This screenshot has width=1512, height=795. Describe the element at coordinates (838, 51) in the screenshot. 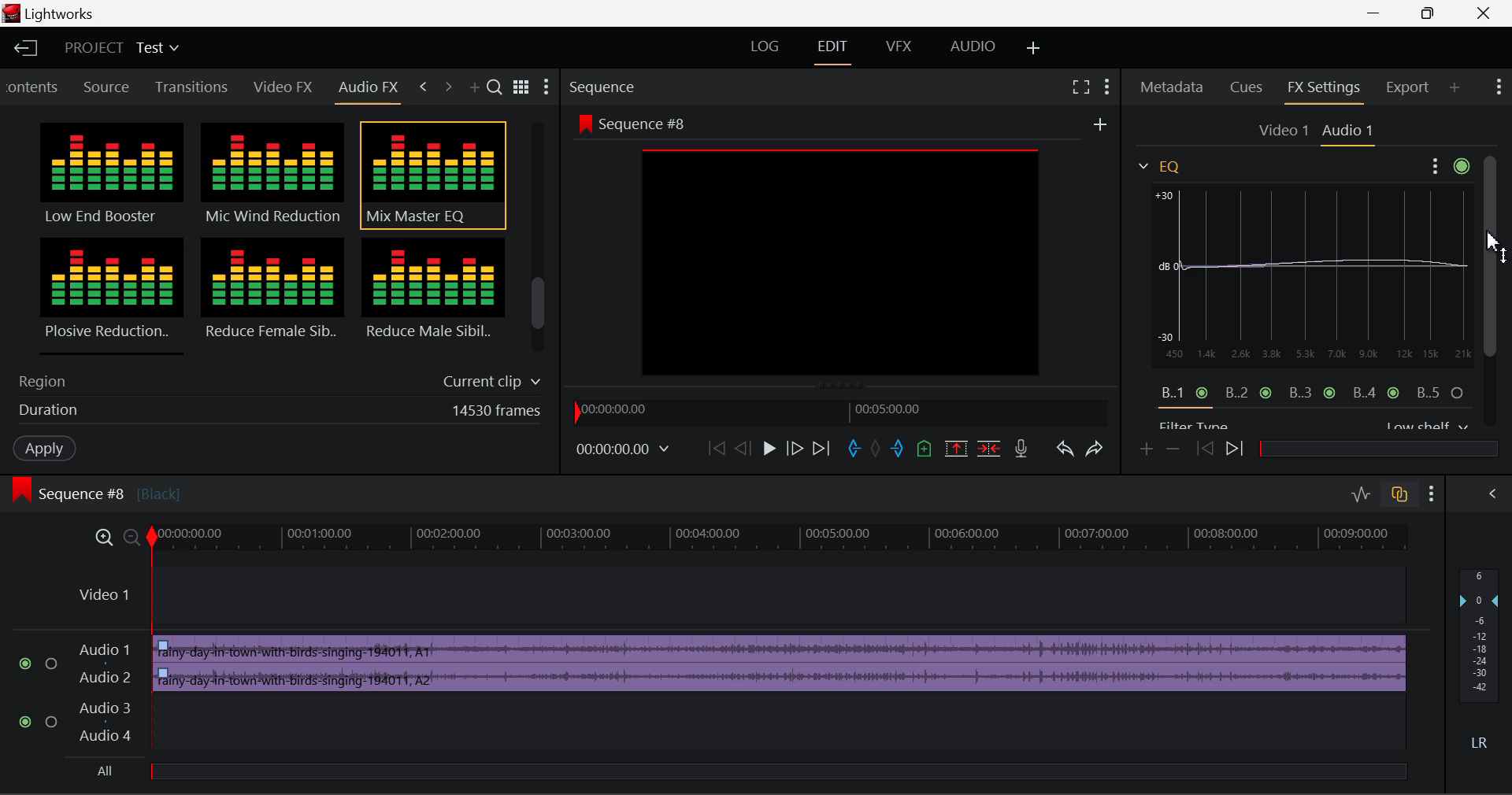

I see `EDIT Layout` at that location.